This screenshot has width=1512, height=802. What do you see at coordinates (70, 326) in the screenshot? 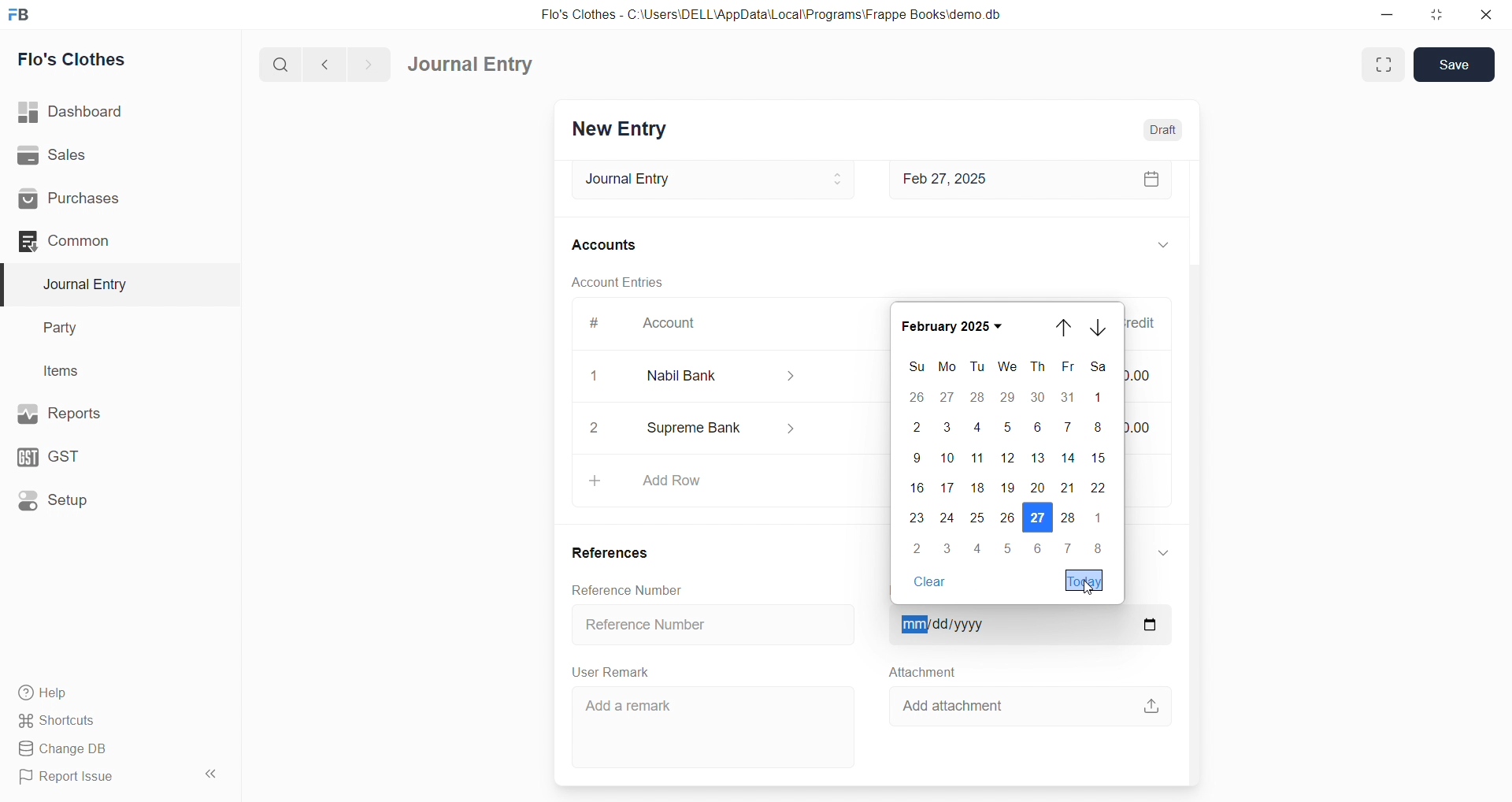
I see `Party` at bounding box center [70, 326].